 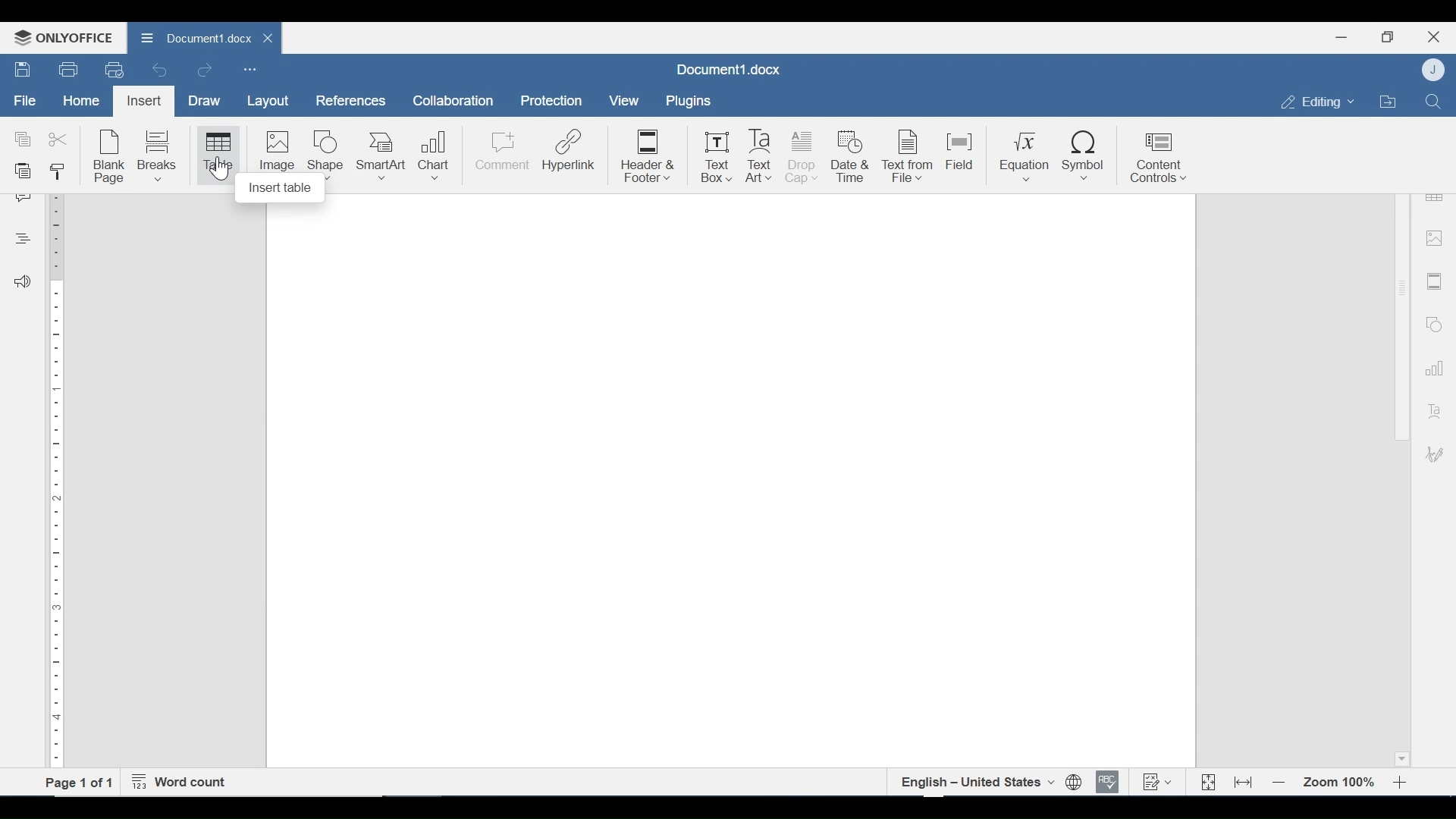 What do you see at coordinates (1207, 783) in the screenshot?
I see `Fit to Page` at bounding box center [1207, 783].